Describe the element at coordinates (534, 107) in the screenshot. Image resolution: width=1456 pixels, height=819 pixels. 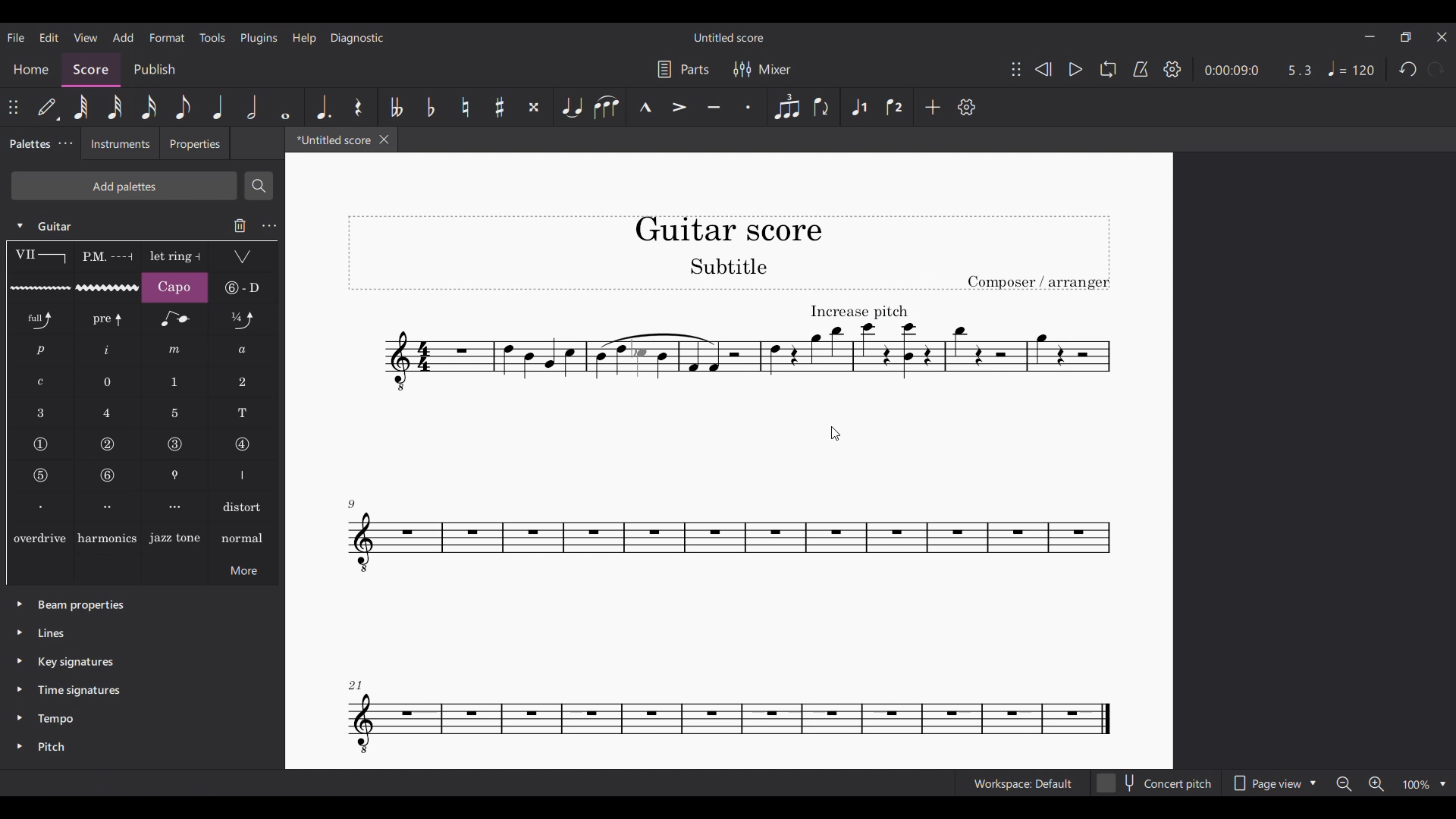
I see `Toggle double sharp` at that location.